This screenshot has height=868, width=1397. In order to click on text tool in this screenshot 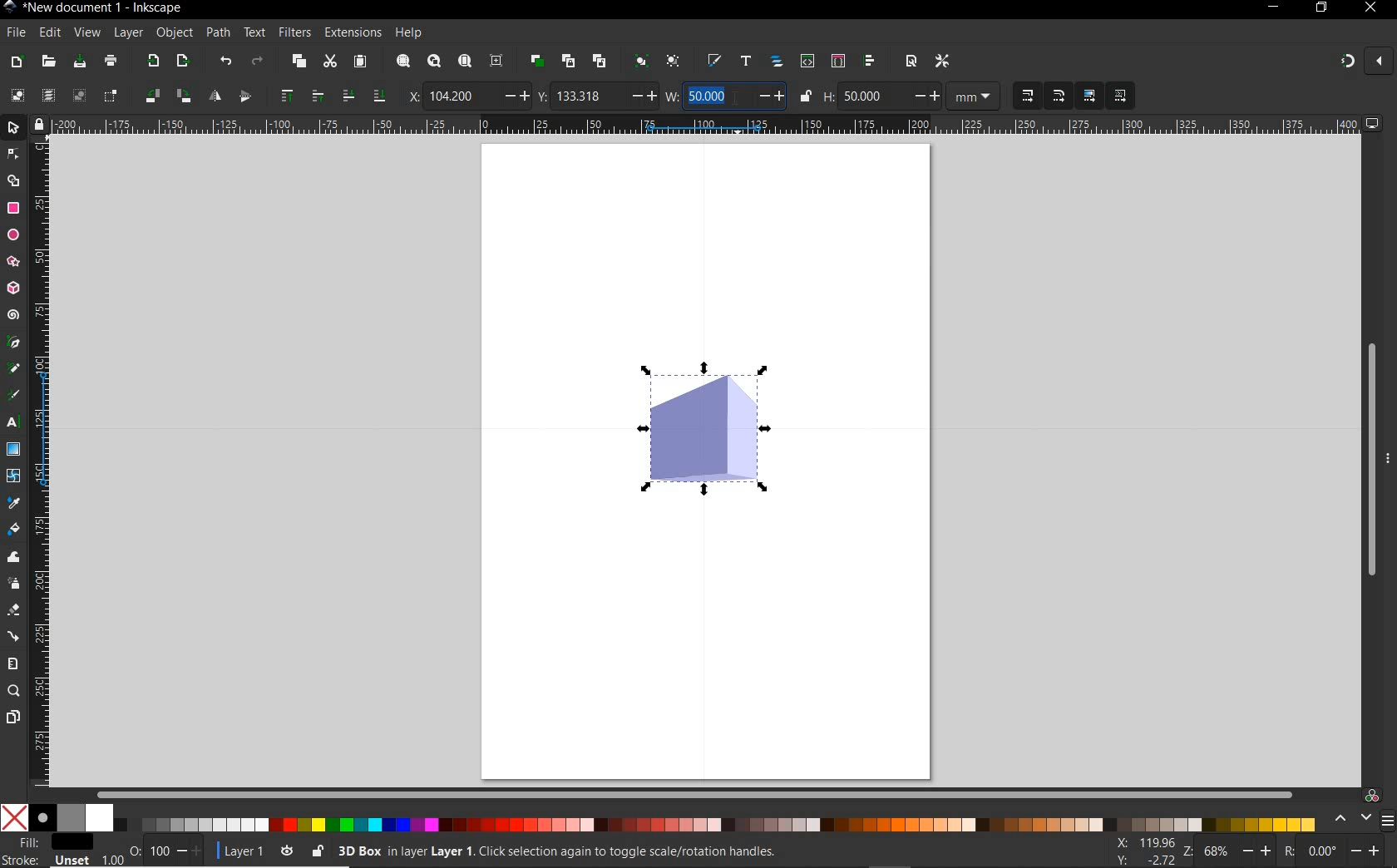, I will do `click(12, 424)`.